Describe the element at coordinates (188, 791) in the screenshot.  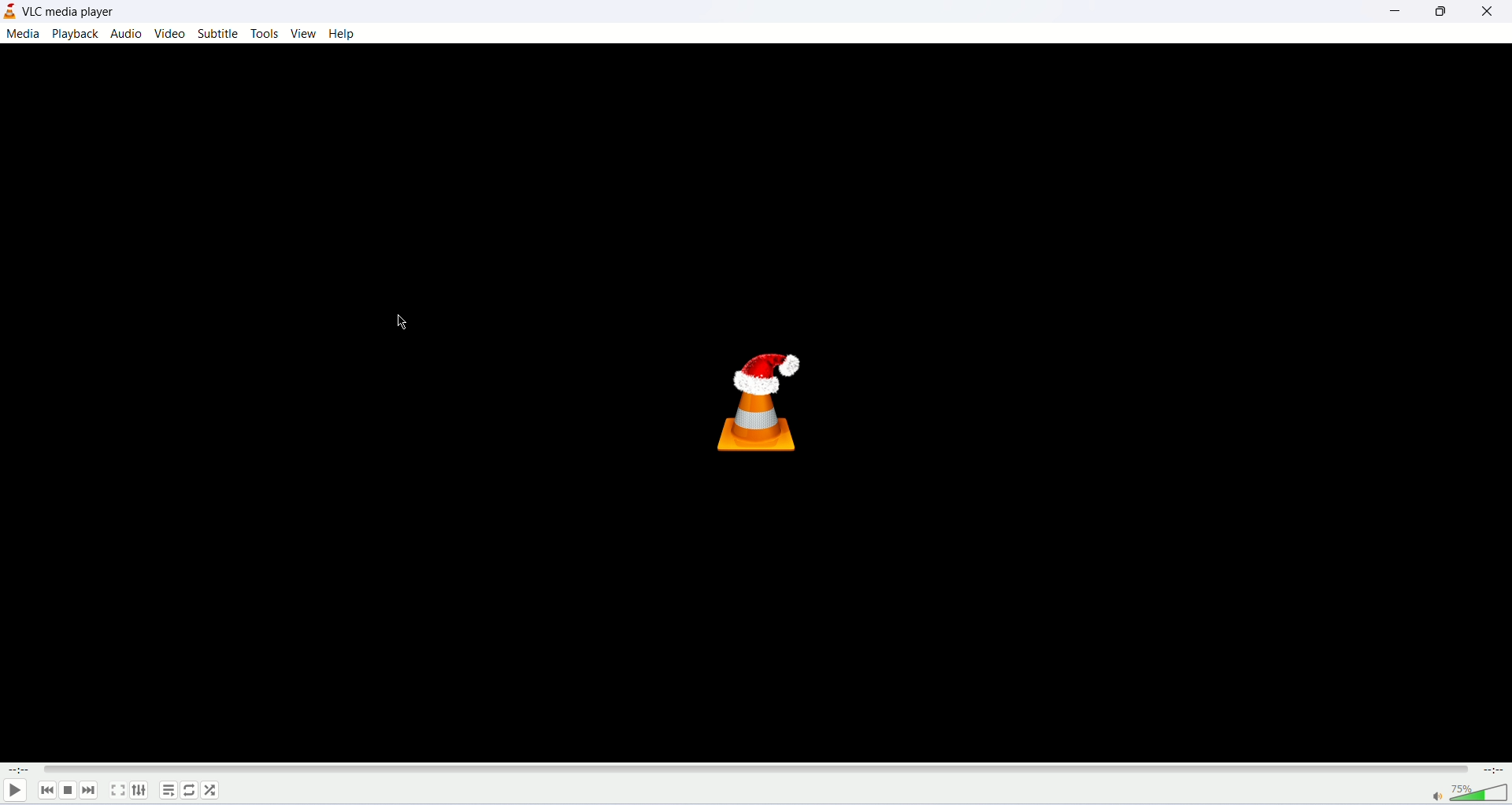
I see `toggle loop` at that location.